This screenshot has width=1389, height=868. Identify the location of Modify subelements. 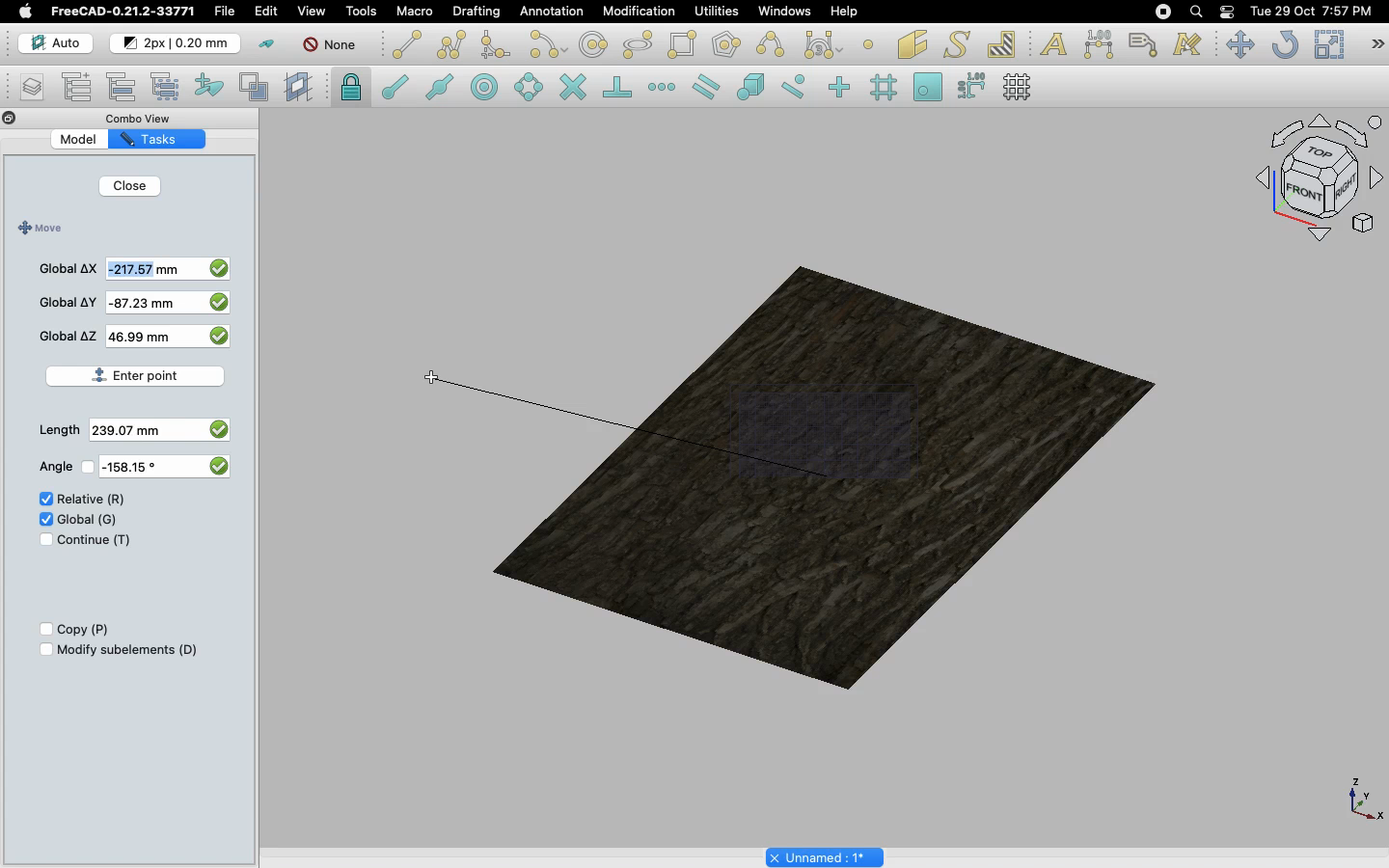
(128, 649).